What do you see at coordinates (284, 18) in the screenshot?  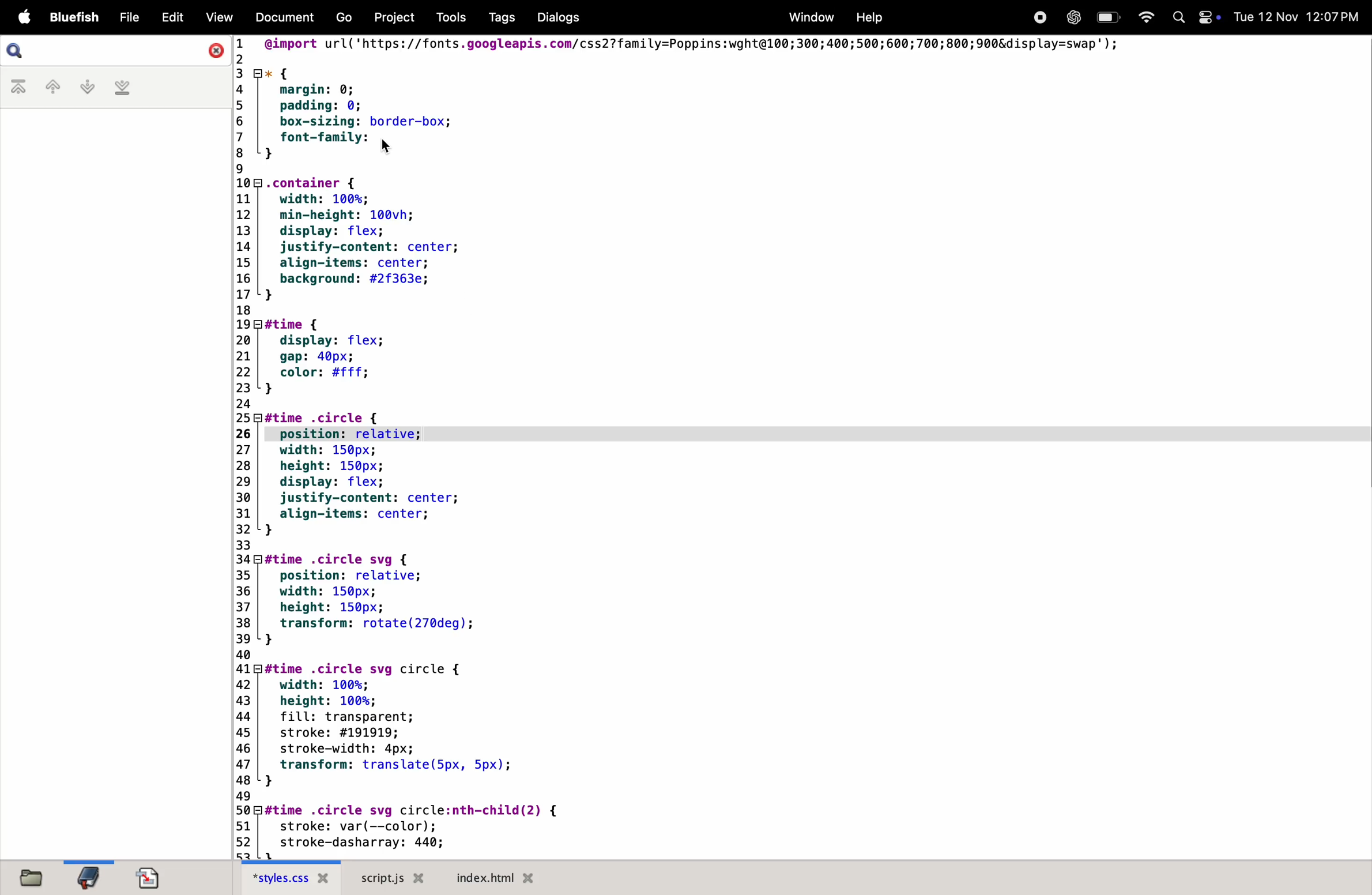 I see `document` at bounding box center [284, 18].